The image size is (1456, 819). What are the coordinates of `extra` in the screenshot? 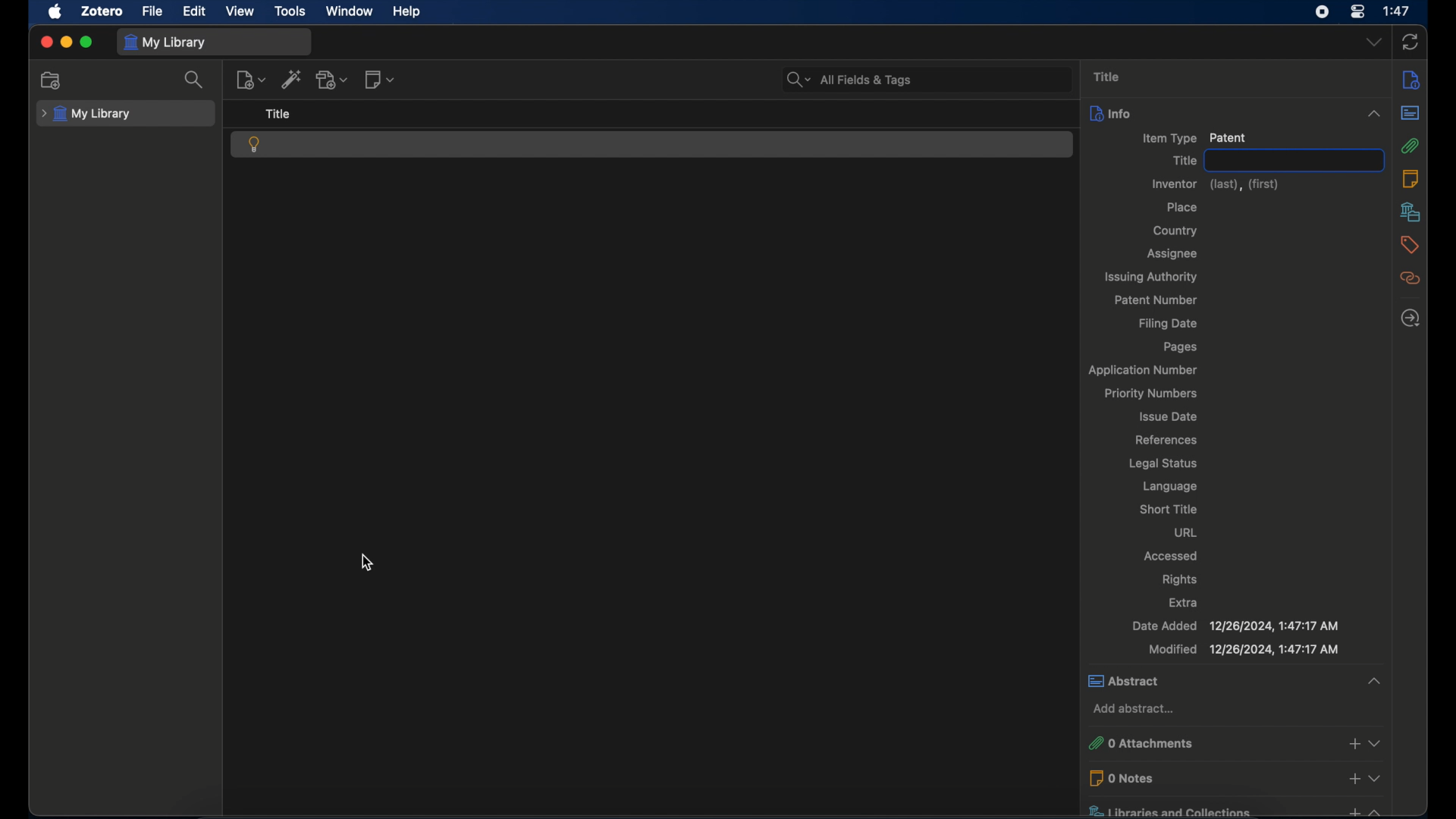 It's located at (1183, 602).